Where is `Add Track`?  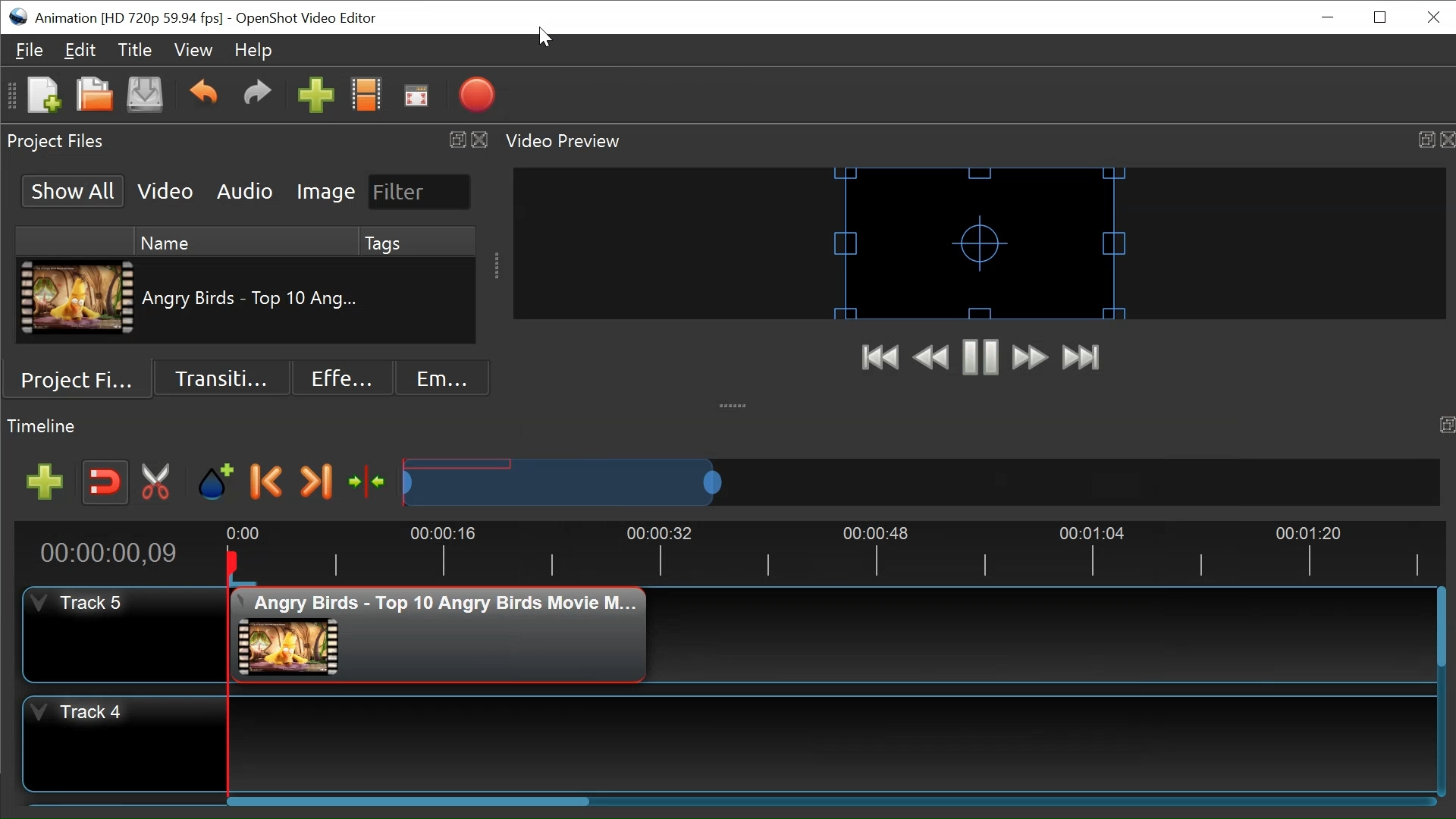 Add Track is located at coordinates (44, 482).